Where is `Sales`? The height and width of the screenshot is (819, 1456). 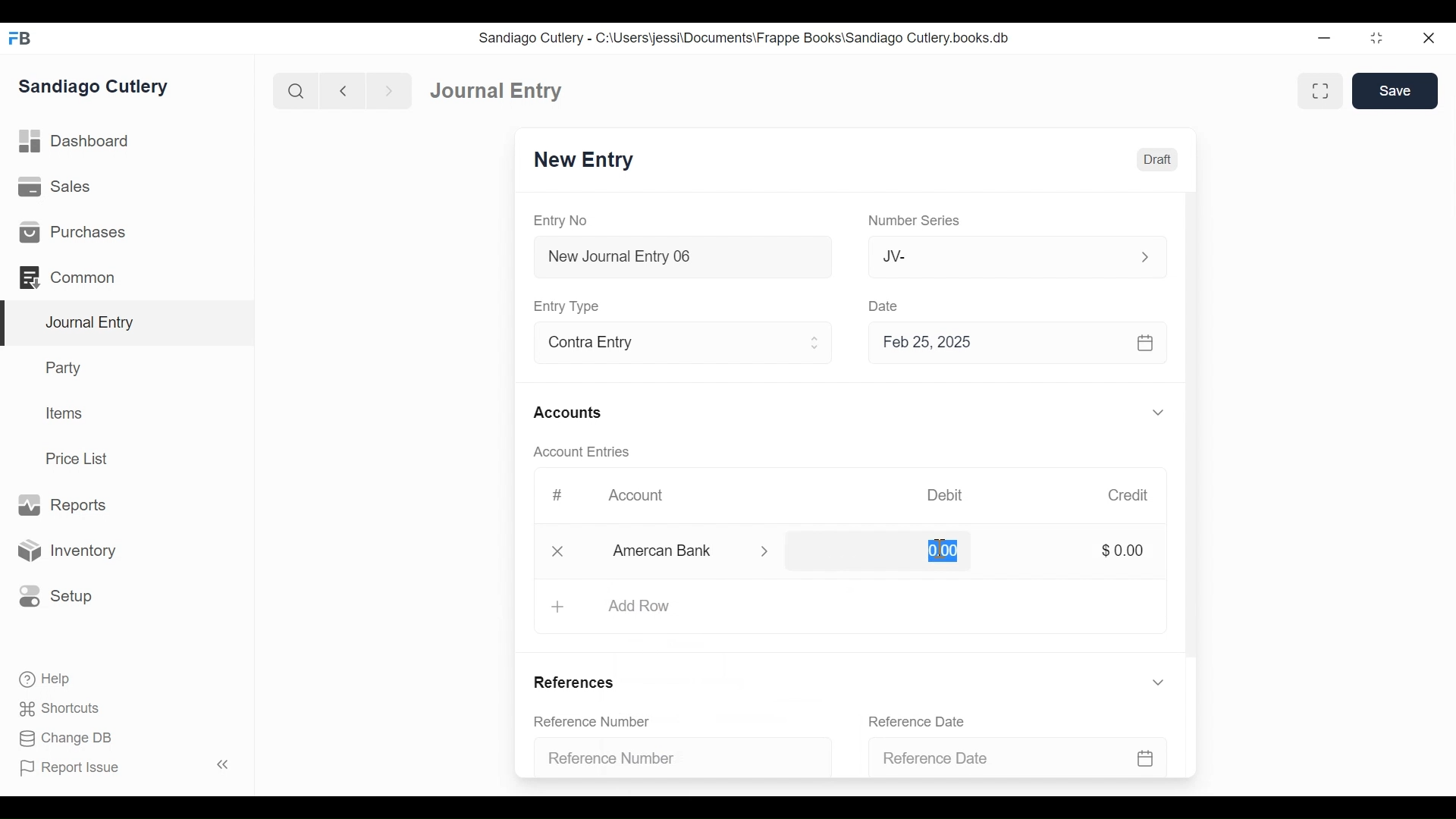
Sales is located at coordinates (60, 187).